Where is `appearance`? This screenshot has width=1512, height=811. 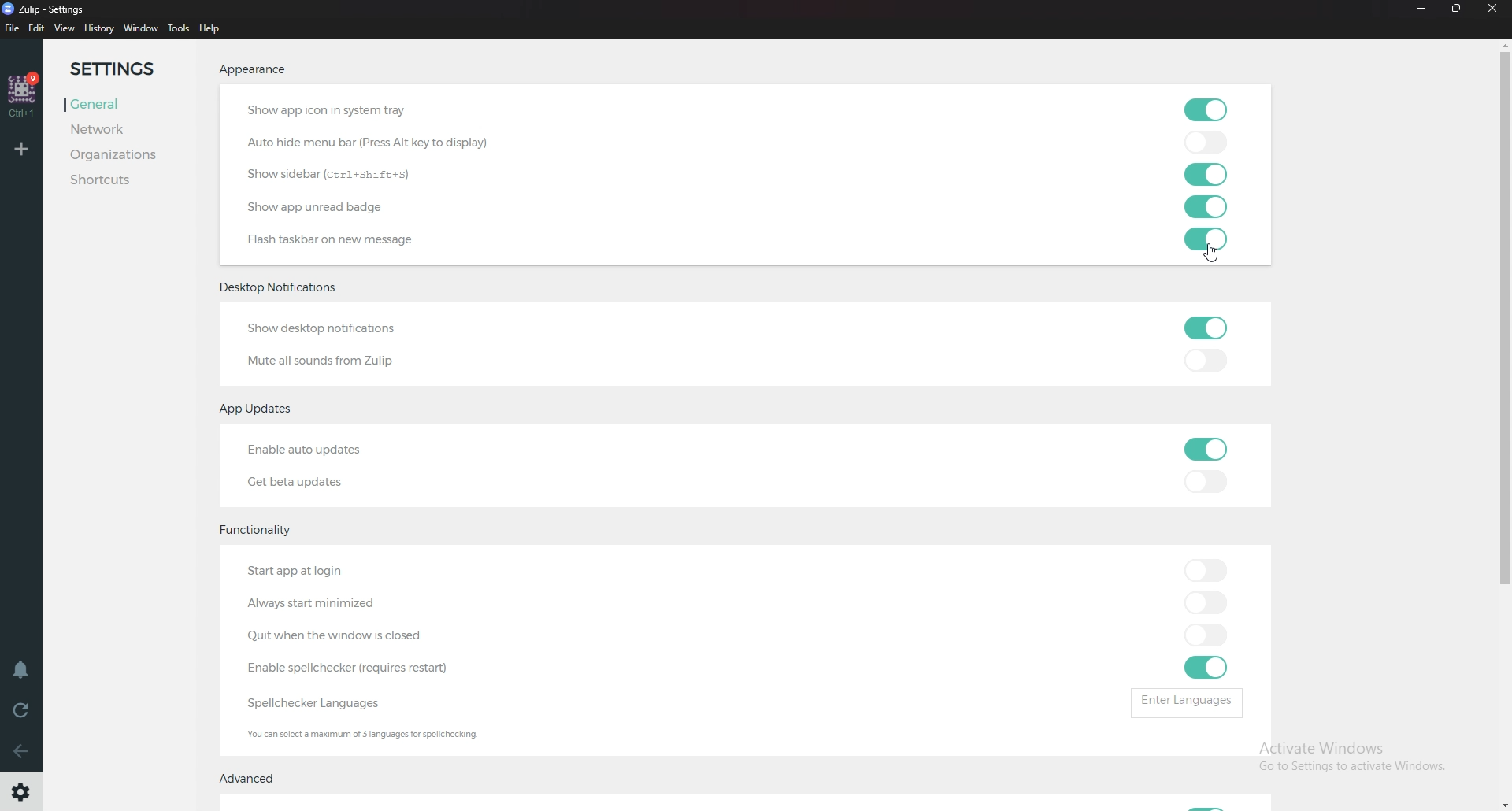 appearance is located at coordinates (254, 69).